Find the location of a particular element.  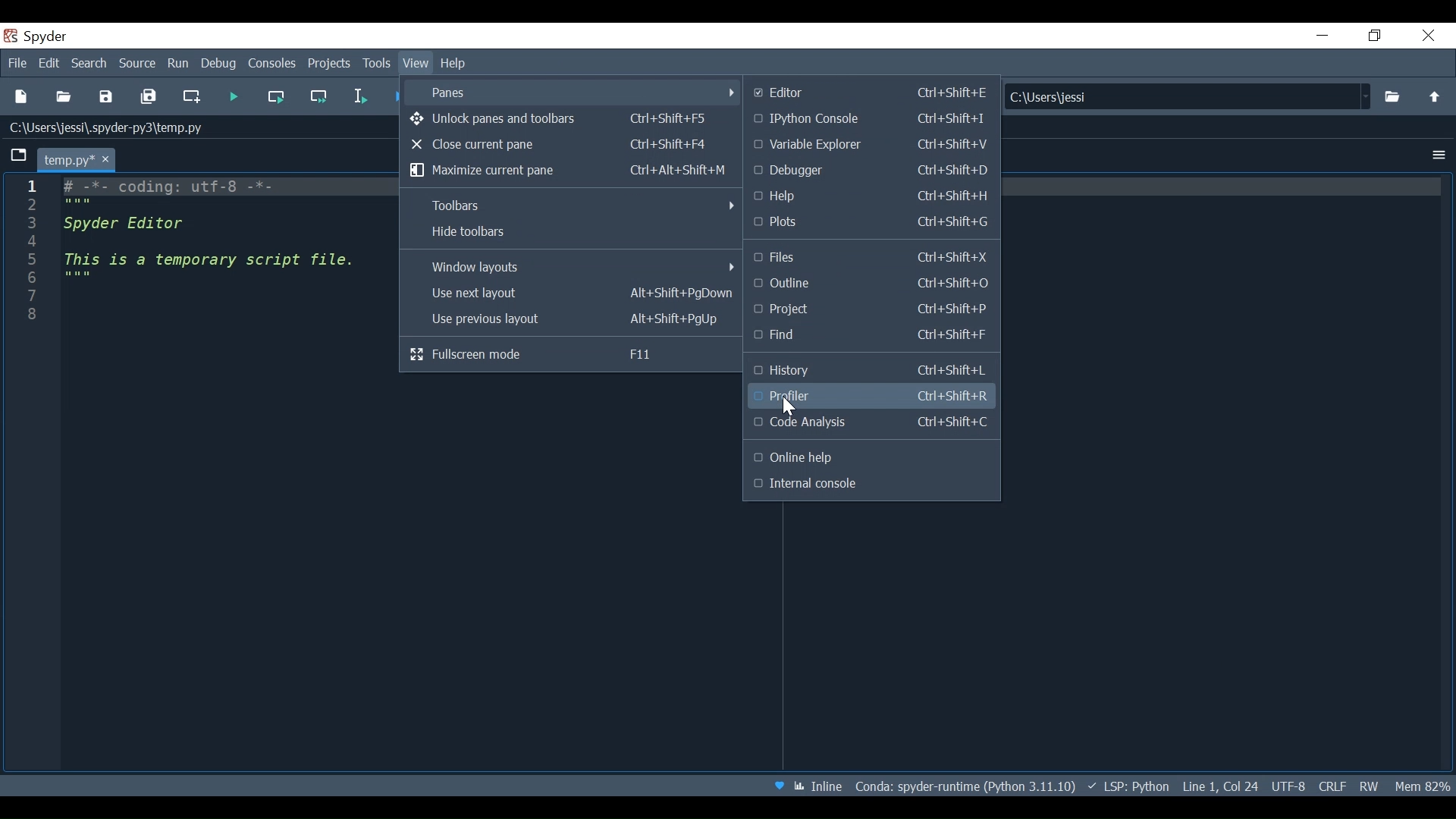

Outline Help is located at coordinates (873, 459).